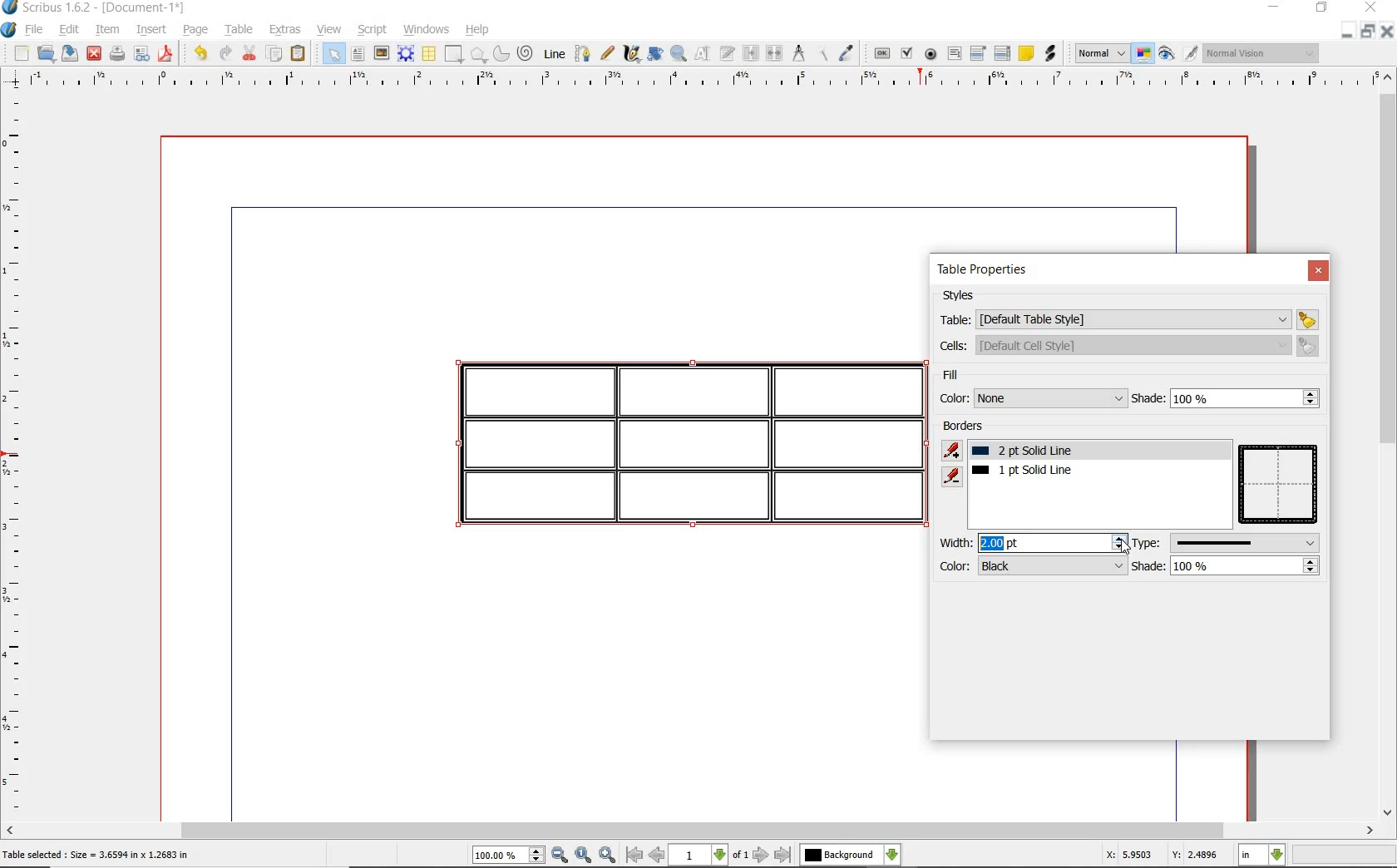 This screenshot has width=1397, height=868. I want to click on text frame, so click(358, 54).